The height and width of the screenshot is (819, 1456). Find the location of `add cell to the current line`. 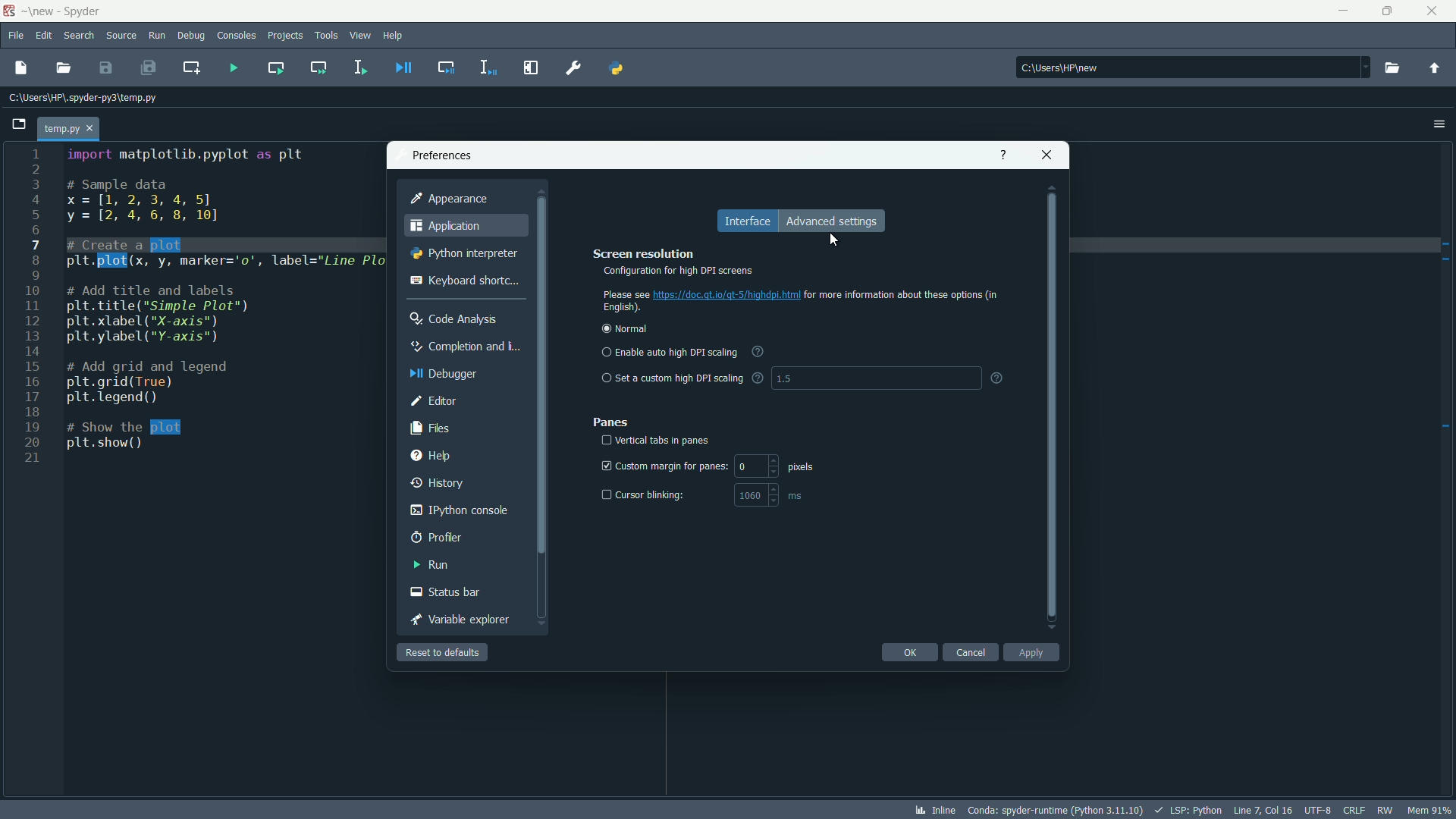

add cell to the current line is located at coordinates (190, 67).